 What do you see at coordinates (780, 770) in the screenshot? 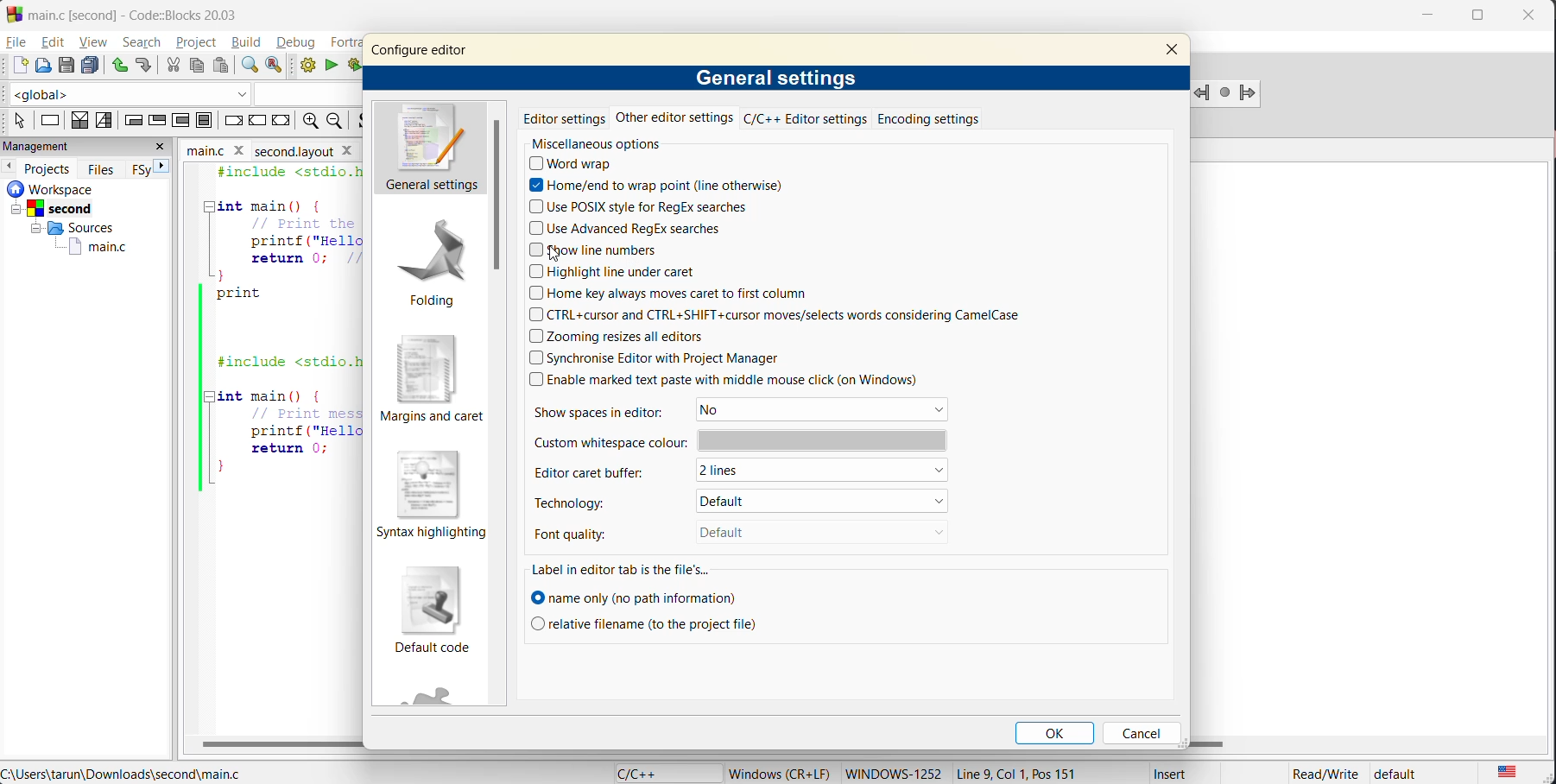
I see `metadata` at bounding box center [780, 770].